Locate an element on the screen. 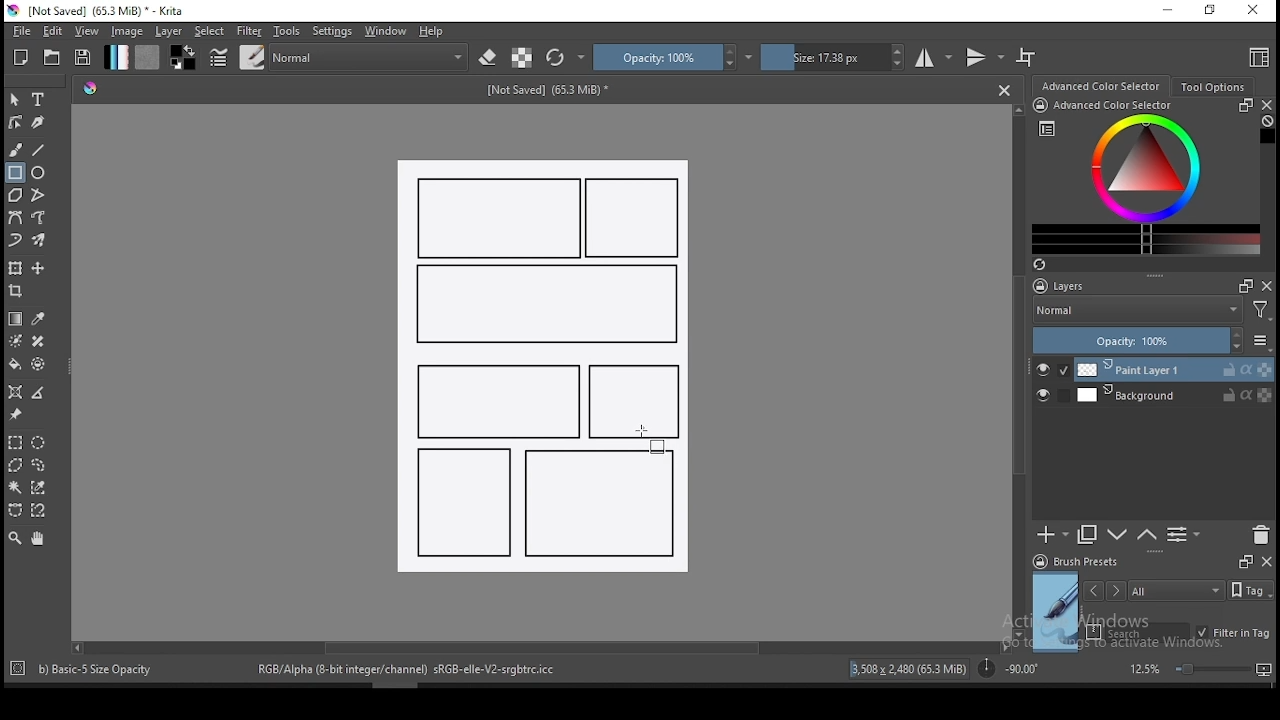  multibrush tool is located at coordinates (40, 242).